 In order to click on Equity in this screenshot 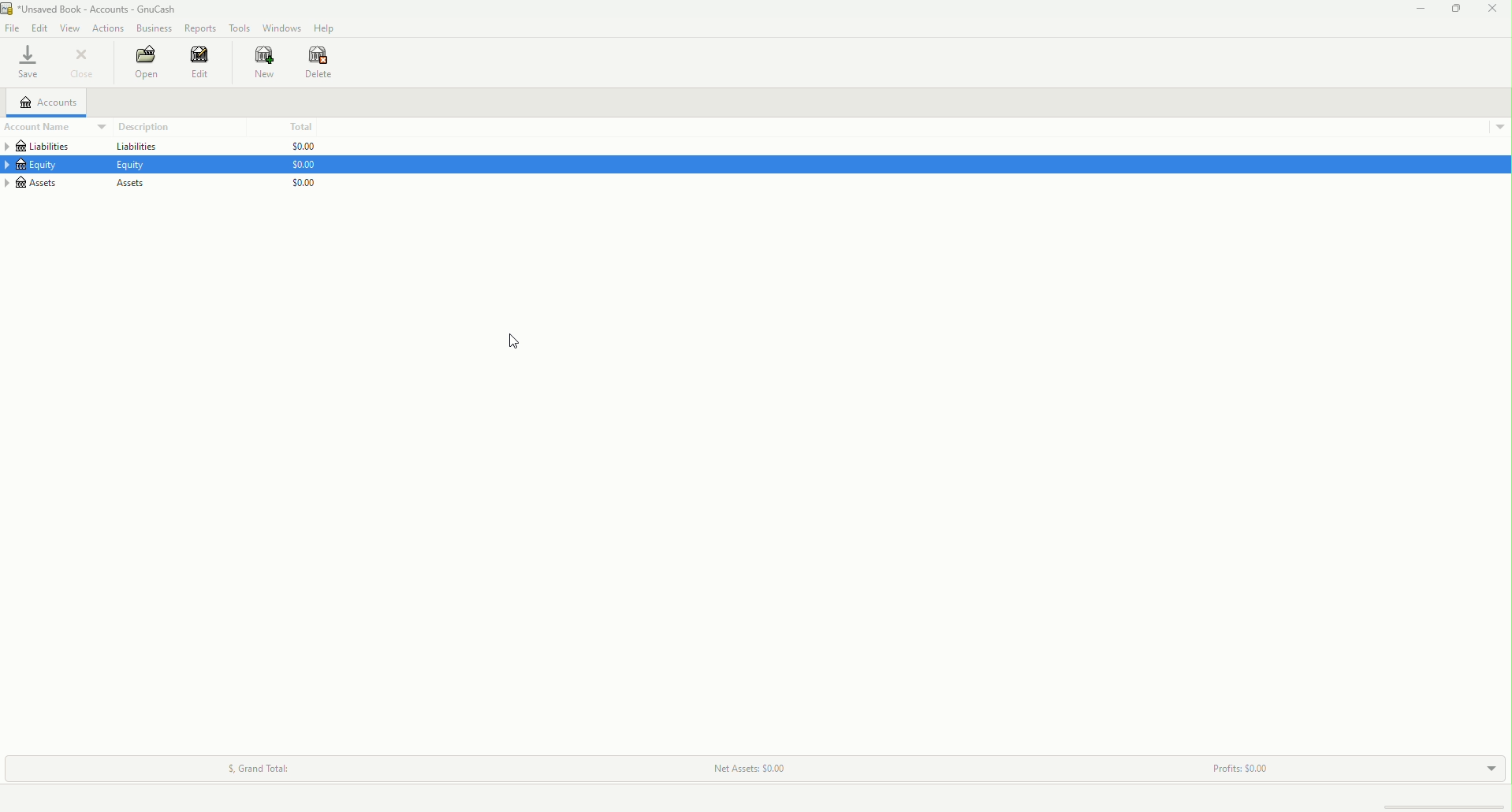, I will do `click(40, 166)`.